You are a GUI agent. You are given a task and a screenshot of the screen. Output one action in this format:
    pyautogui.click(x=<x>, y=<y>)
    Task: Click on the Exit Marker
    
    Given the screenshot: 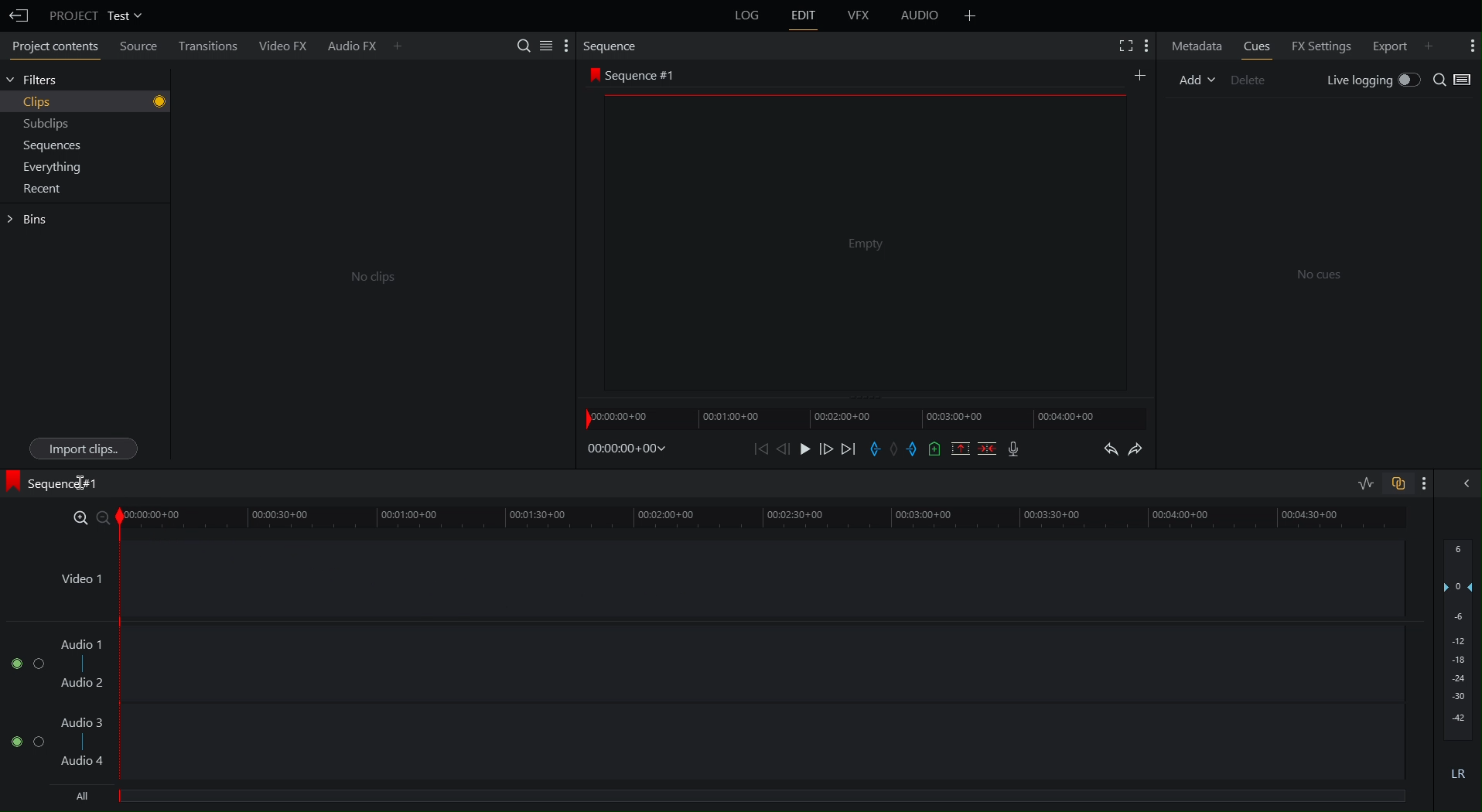 What is the action you would take?
    pyautogui.click(x=916, y=449)
    